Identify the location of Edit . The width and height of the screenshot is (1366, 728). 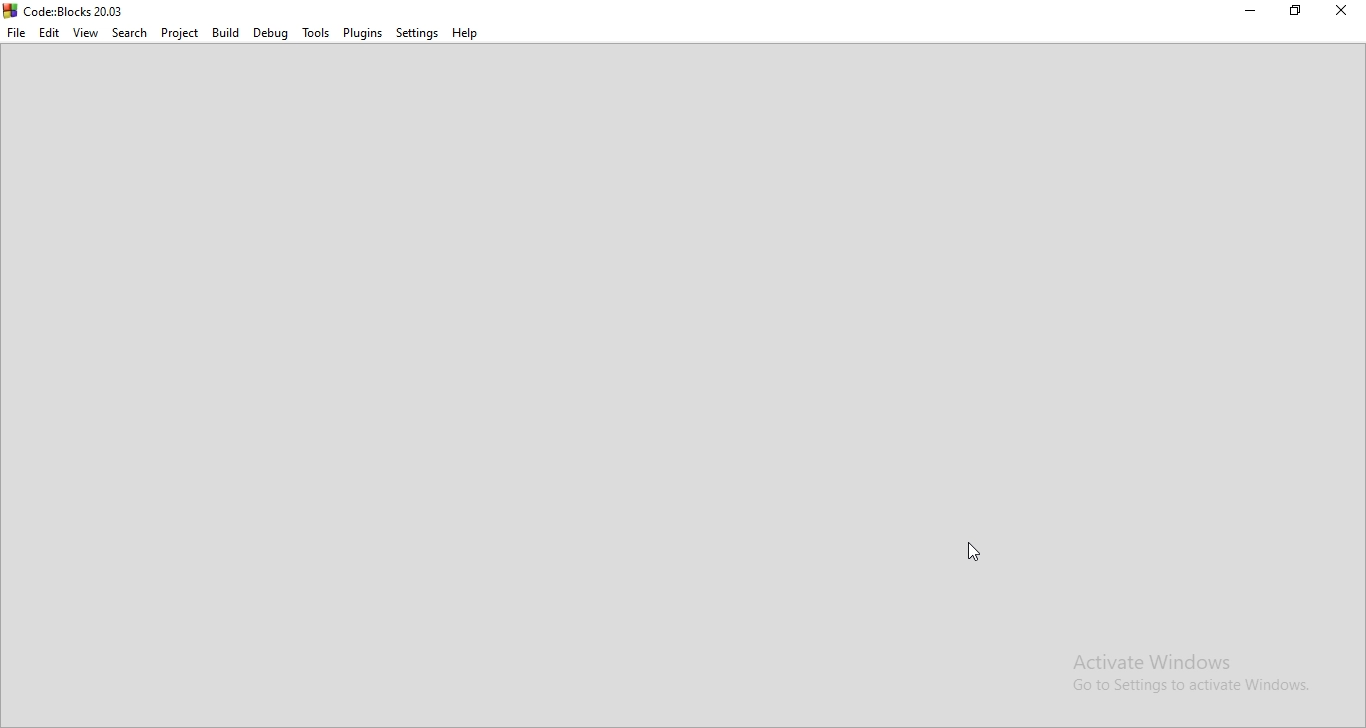
(50, 33).